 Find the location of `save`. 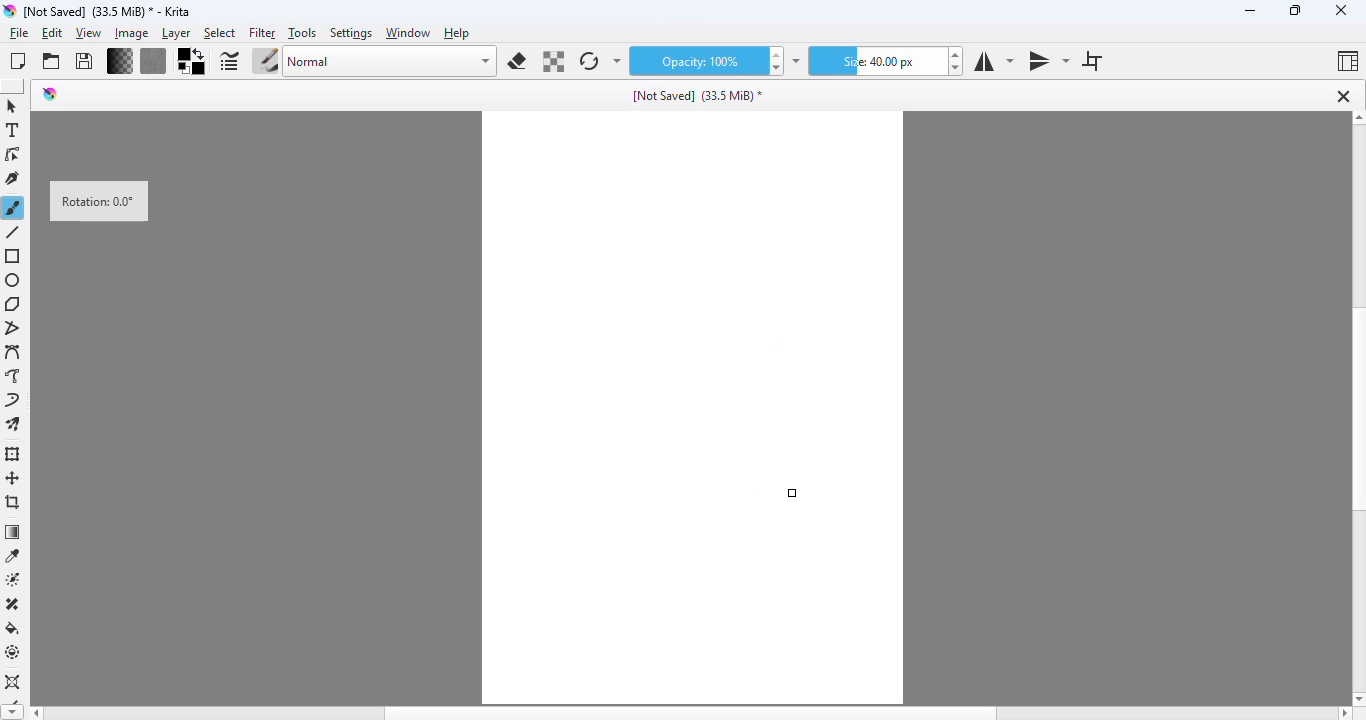

save is located at coordinates (84, 61).